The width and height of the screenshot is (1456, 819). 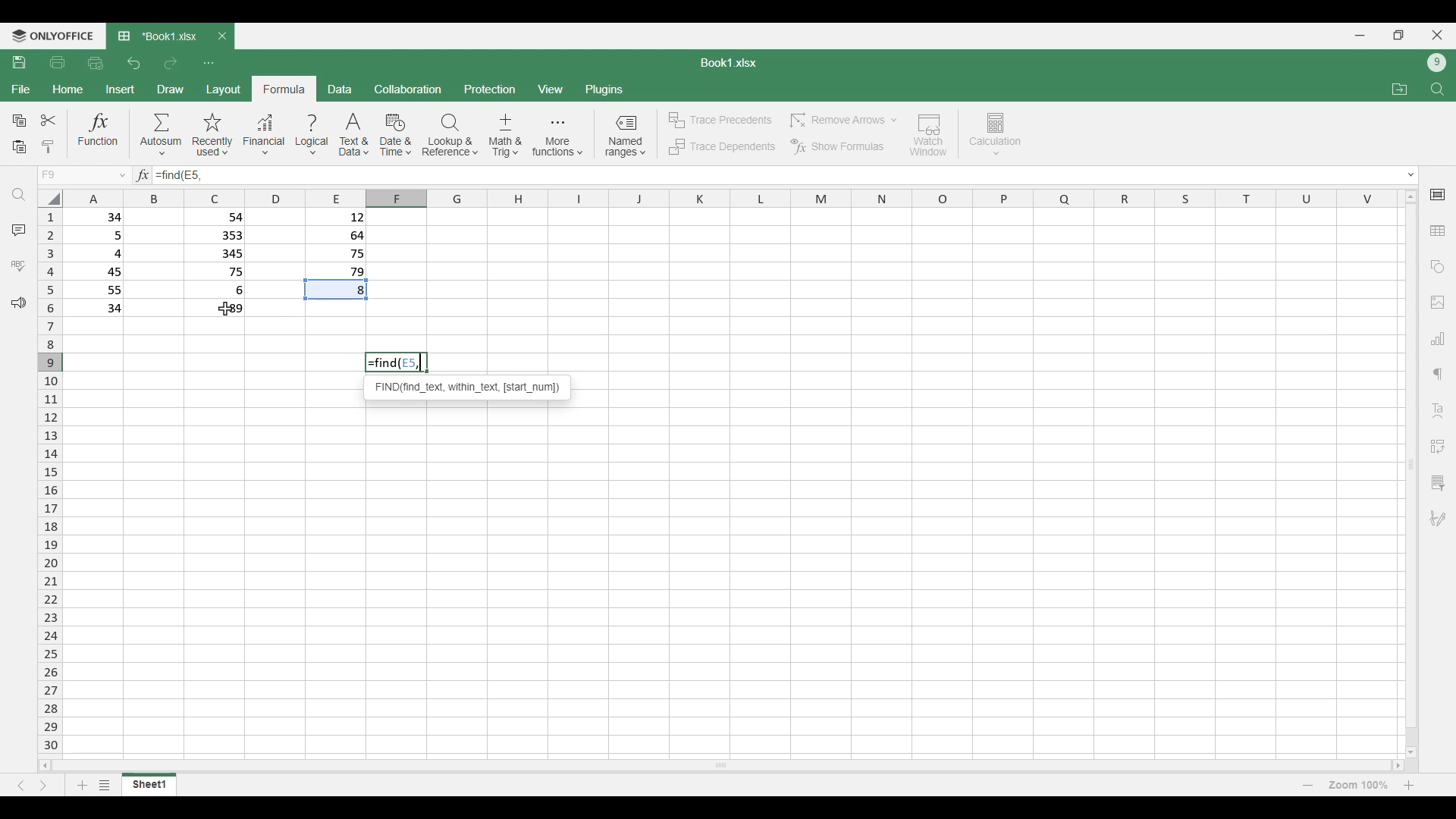 I want to click on Clone formatting, so click(x=47, y=148).